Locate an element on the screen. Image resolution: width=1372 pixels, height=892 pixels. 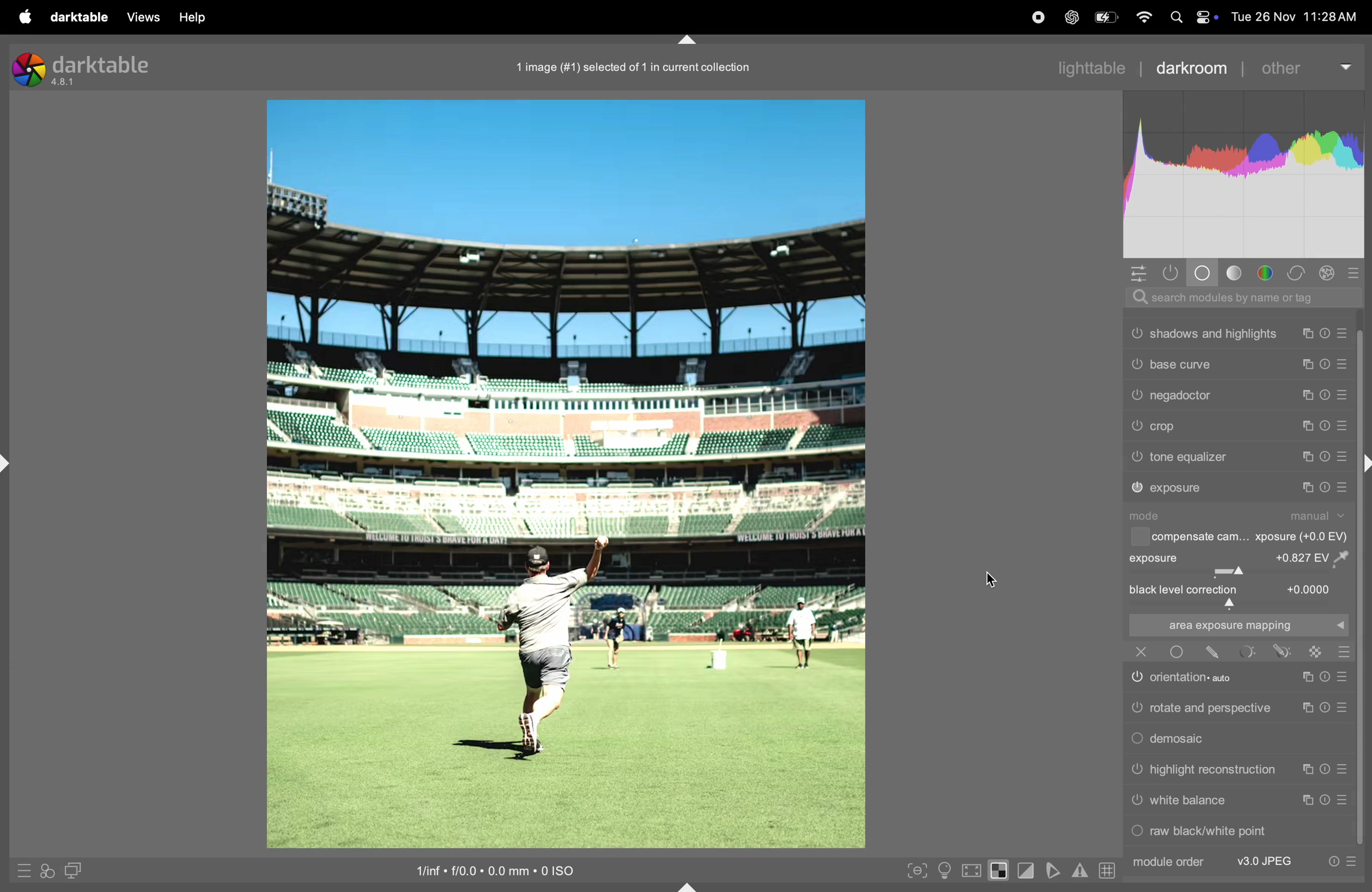
other is located at coordinates (1298, 68).